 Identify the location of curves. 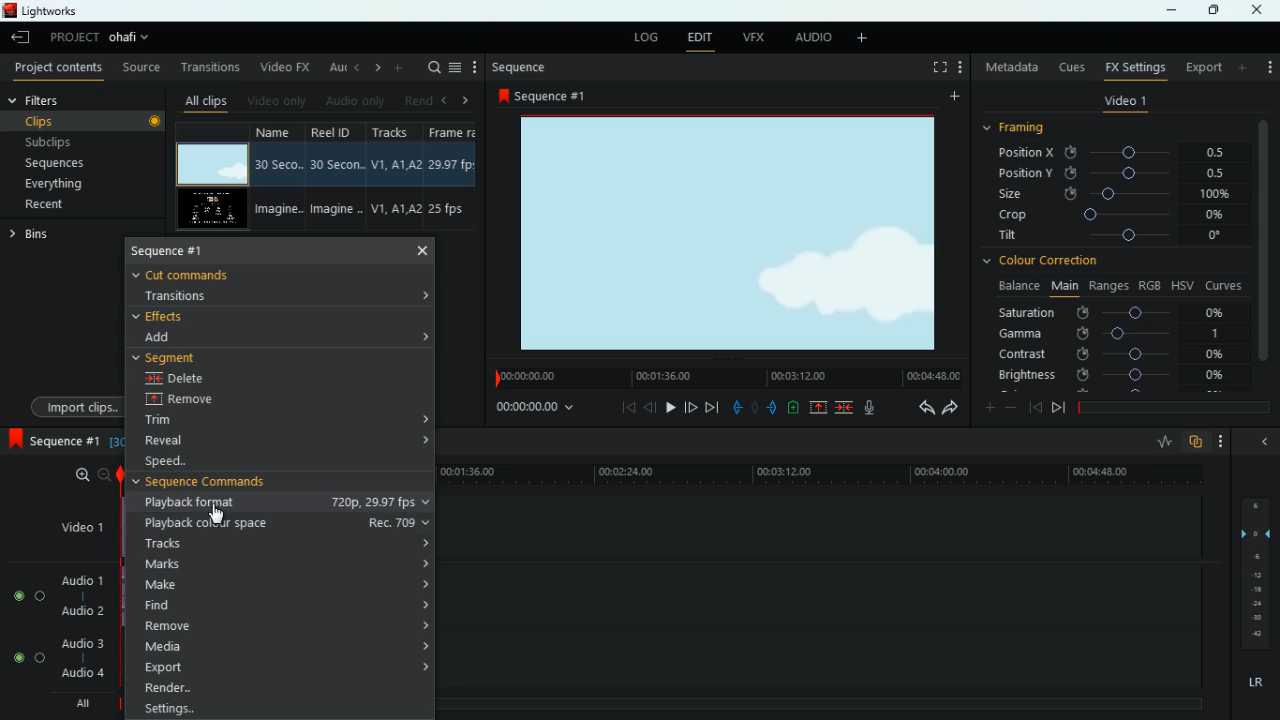
(1224, 287).